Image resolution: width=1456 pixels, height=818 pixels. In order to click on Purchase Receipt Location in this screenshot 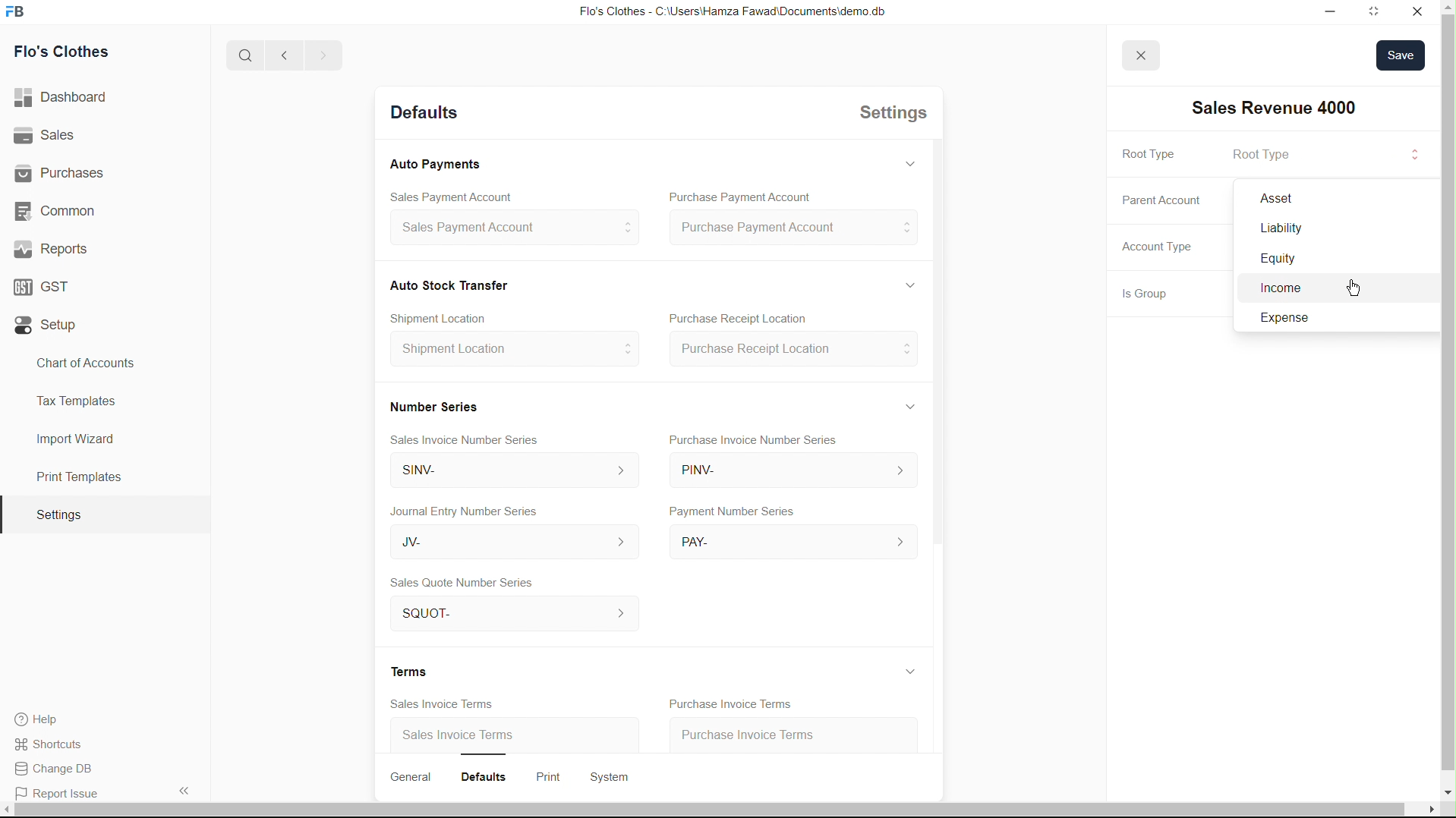, I will do `click(799, 351)`.